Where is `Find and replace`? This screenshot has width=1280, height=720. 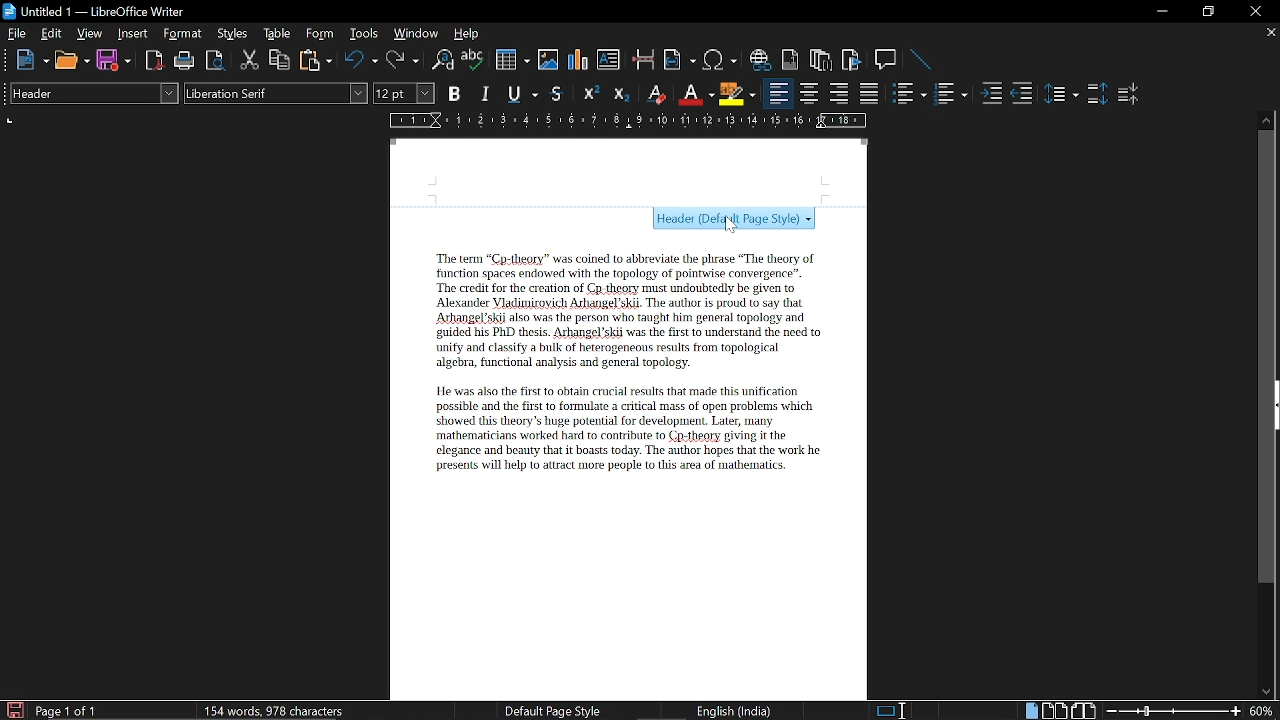
Find and replace is located at coordinates (441, 61).